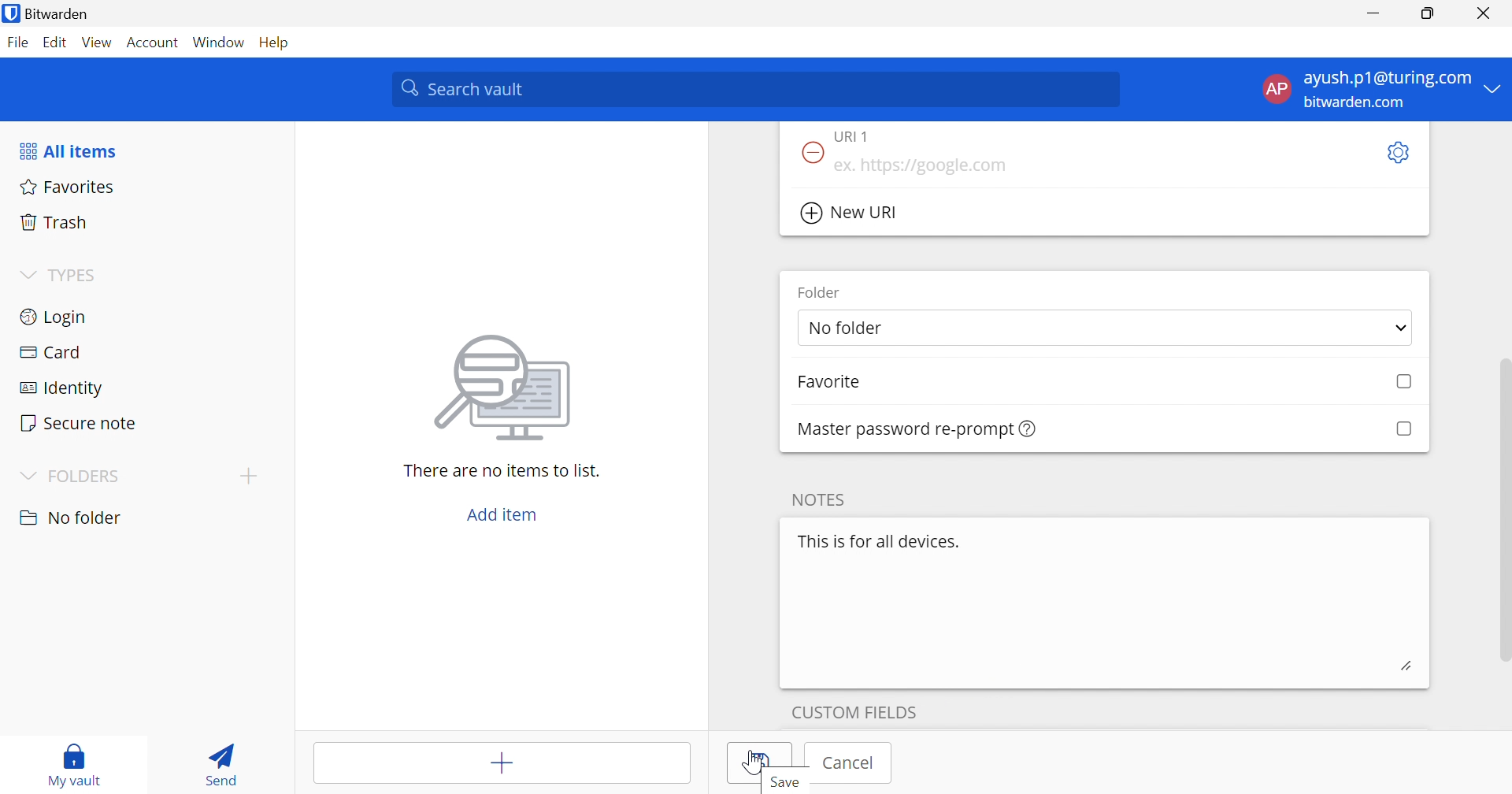 This screenshot has width=1512, height=794. What do you see at coordinates (54, 220) in the screenshot?
I see `Trash` at bounding box center [54, 220].